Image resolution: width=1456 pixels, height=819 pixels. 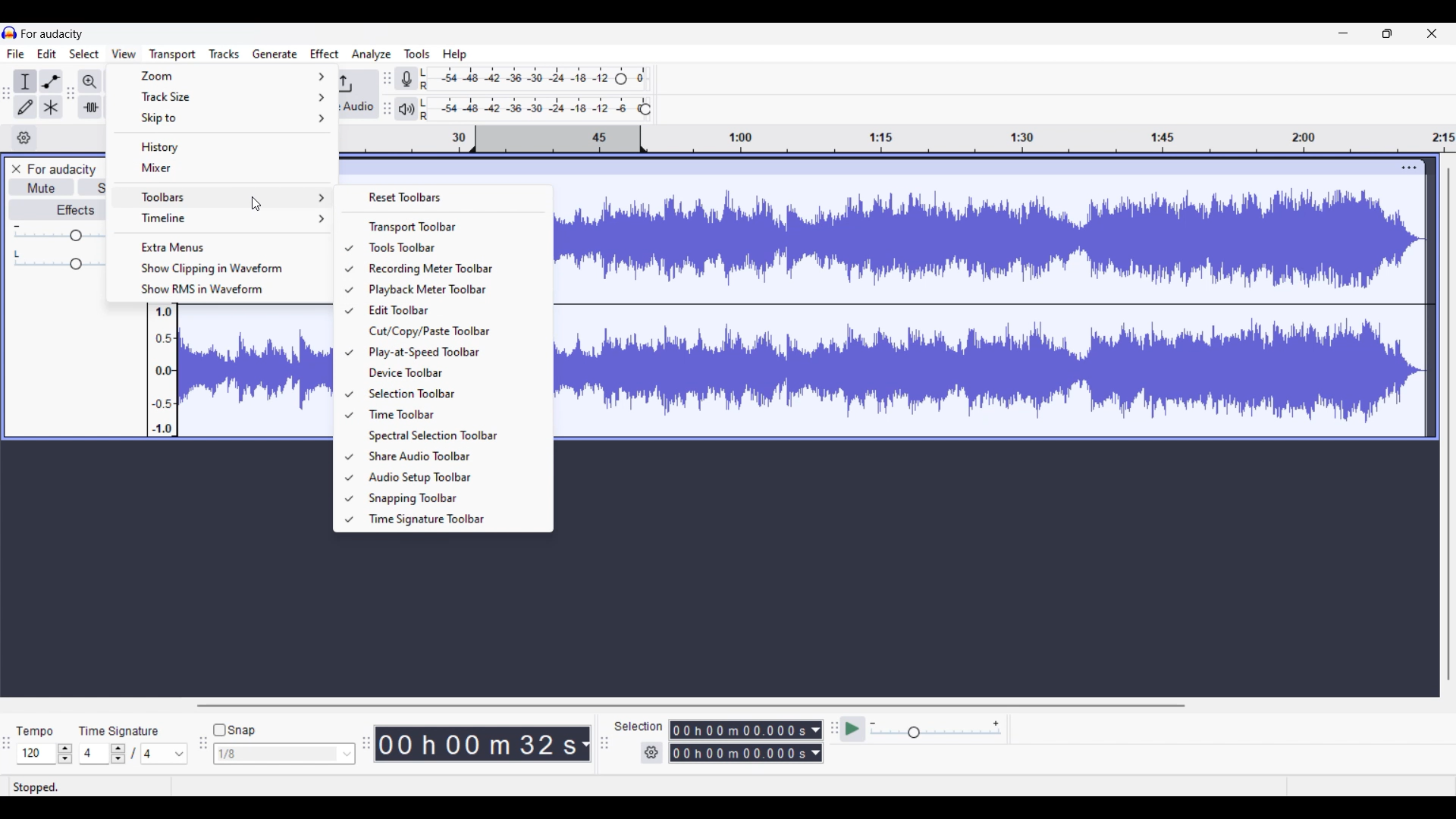 I want to click on Share audio, so click(x=357, y=94).